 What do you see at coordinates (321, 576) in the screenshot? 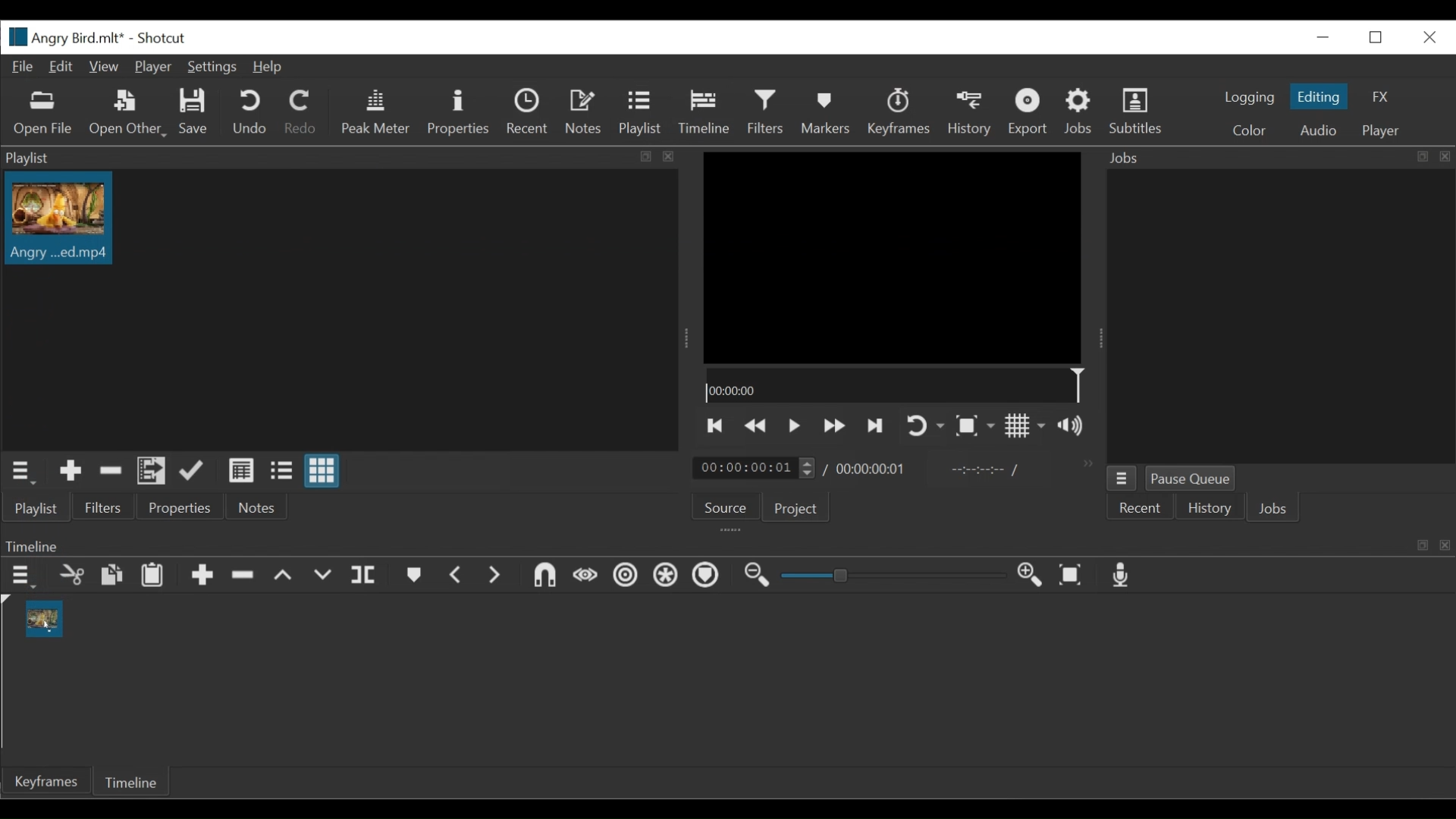
I see `Overwrite` at bounding box center [321, 576].